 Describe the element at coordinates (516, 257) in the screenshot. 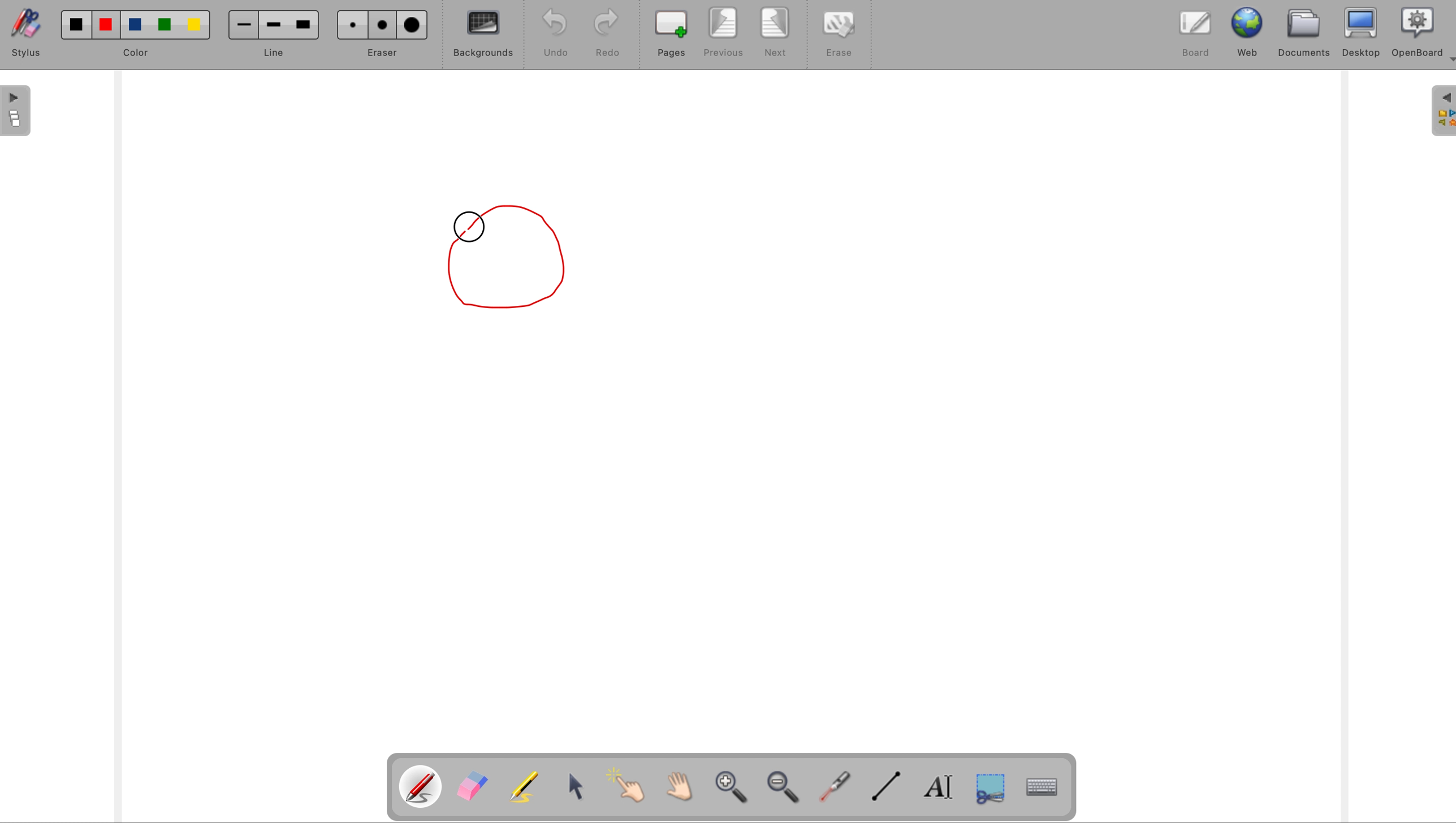

I see `draw shape` at that location.